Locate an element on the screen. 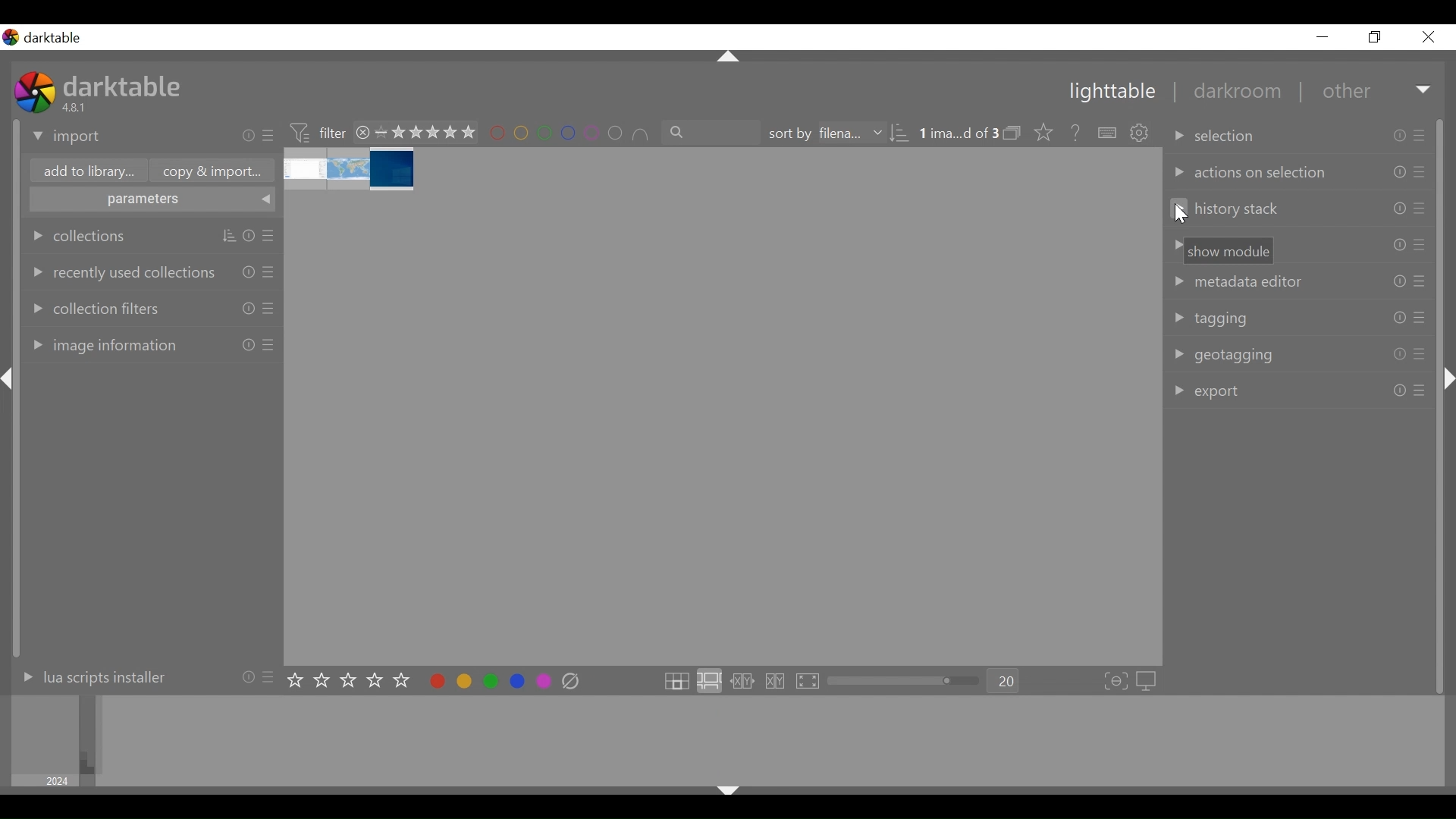 The image size is (1456, 819). filter is located at coordinates (317, 131).